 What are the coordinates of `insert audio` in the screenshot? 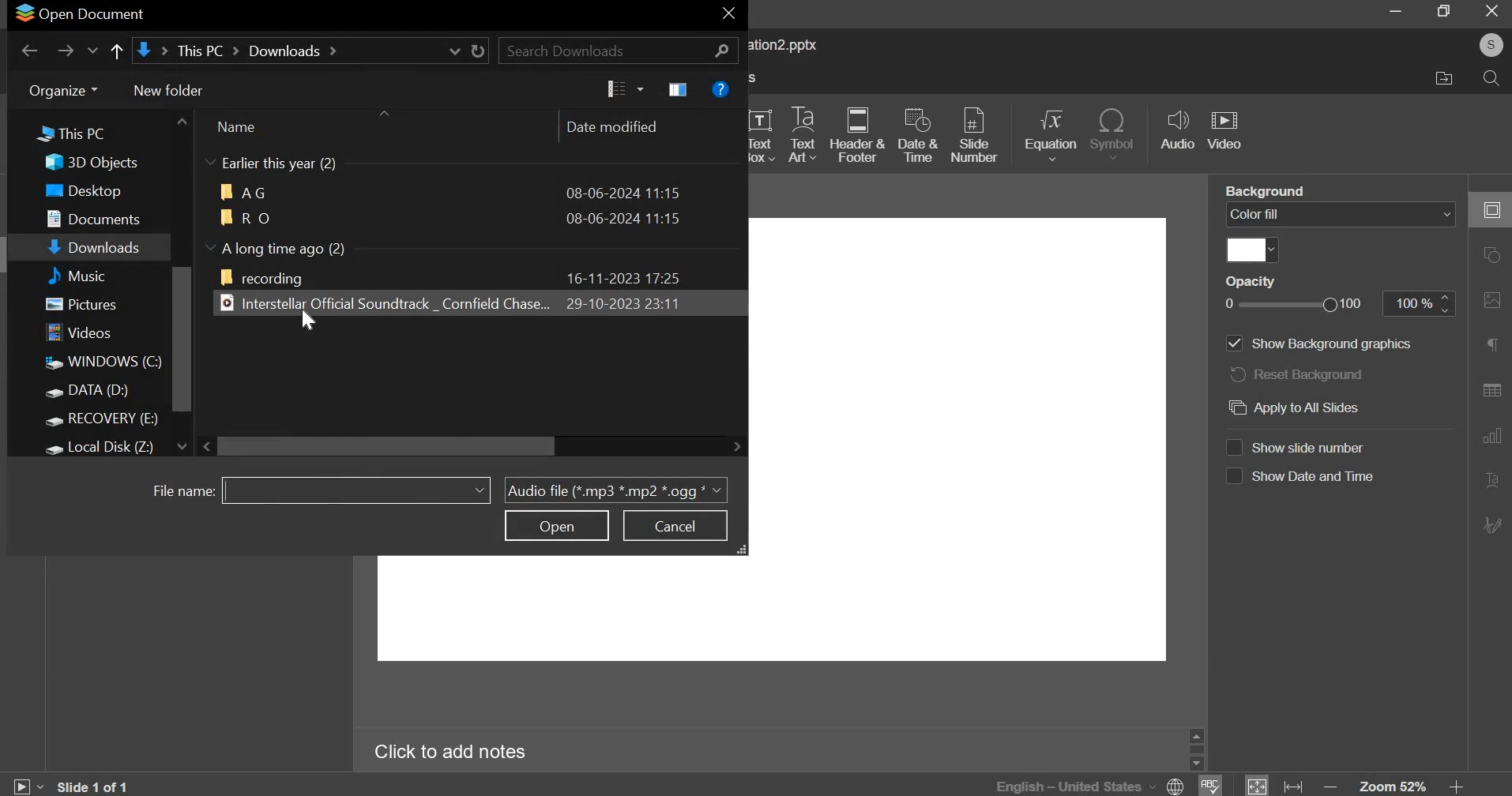 It's located at (1179, 132).